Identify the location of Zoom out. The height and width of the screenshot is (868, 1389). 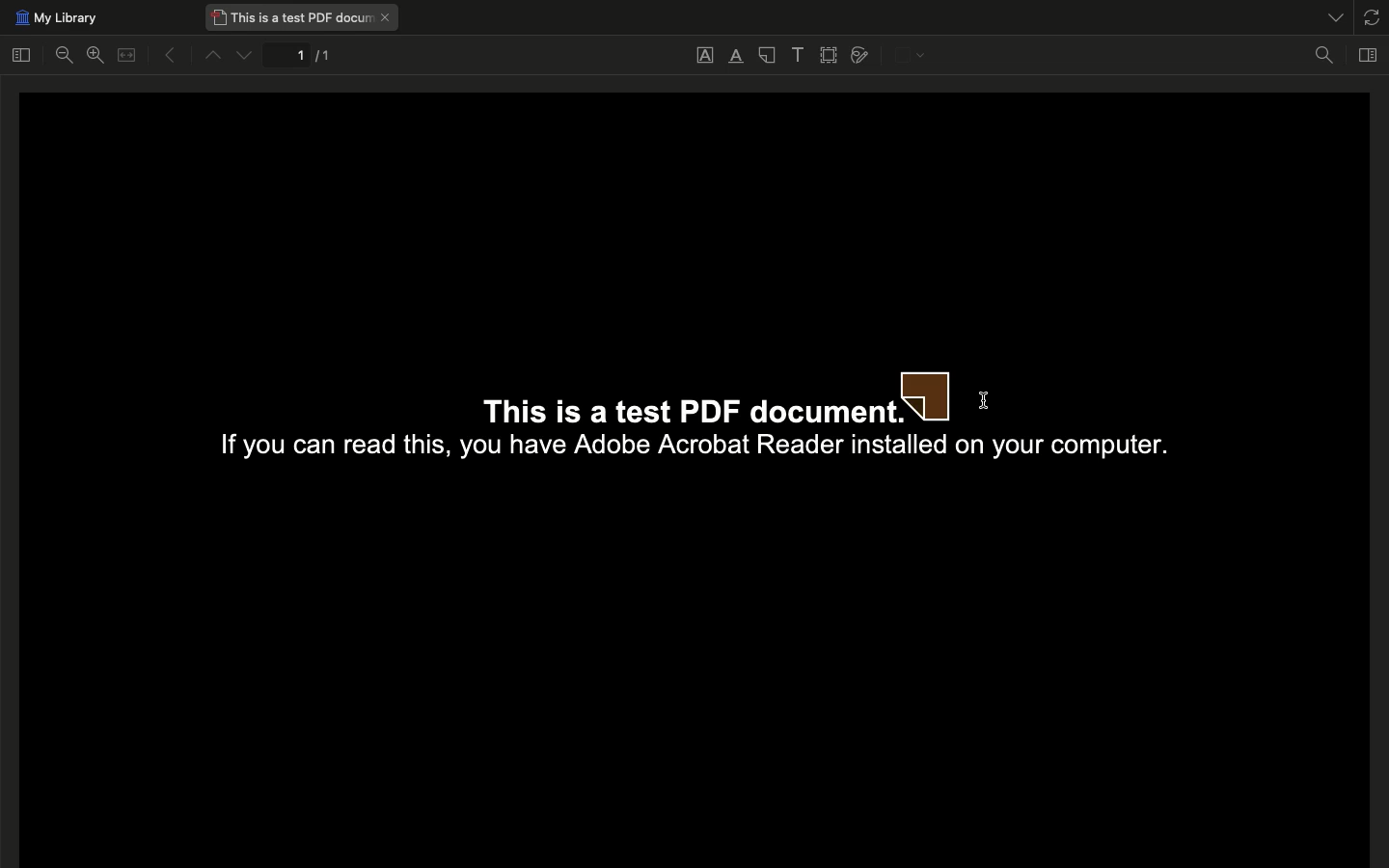
(68, 58).